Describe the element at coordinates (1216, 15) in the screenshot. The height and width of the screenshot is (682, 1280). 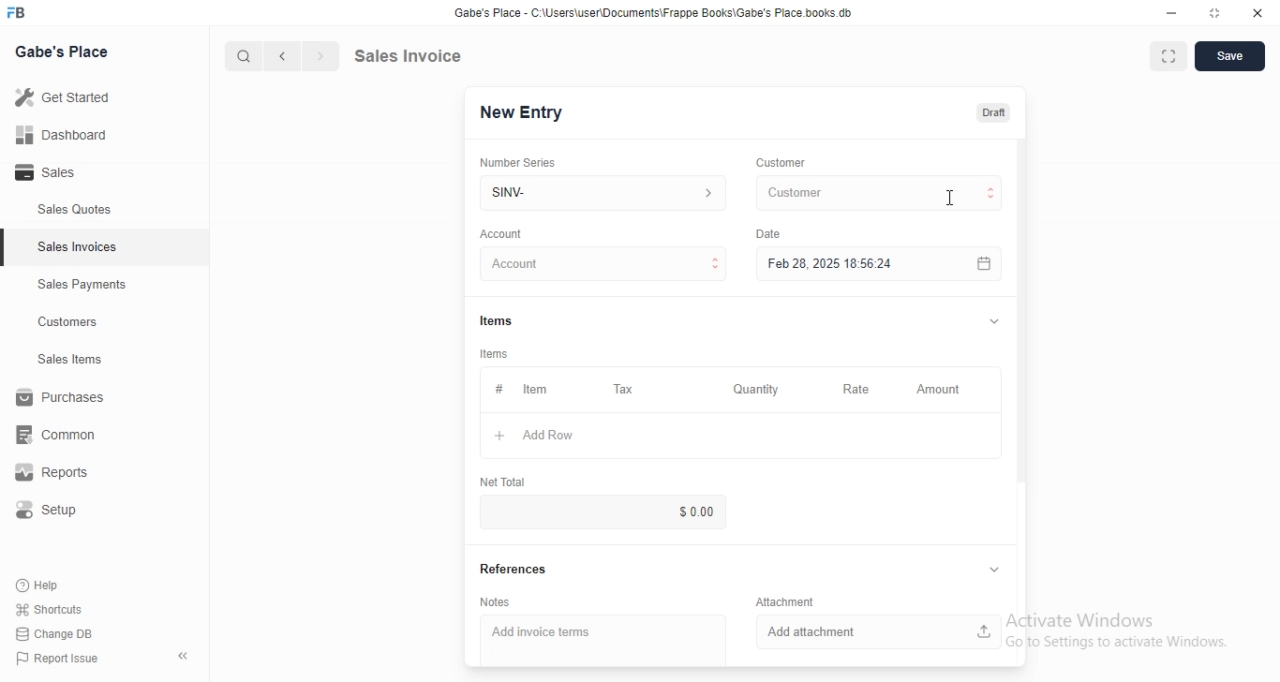
I see `maximize` at that location.